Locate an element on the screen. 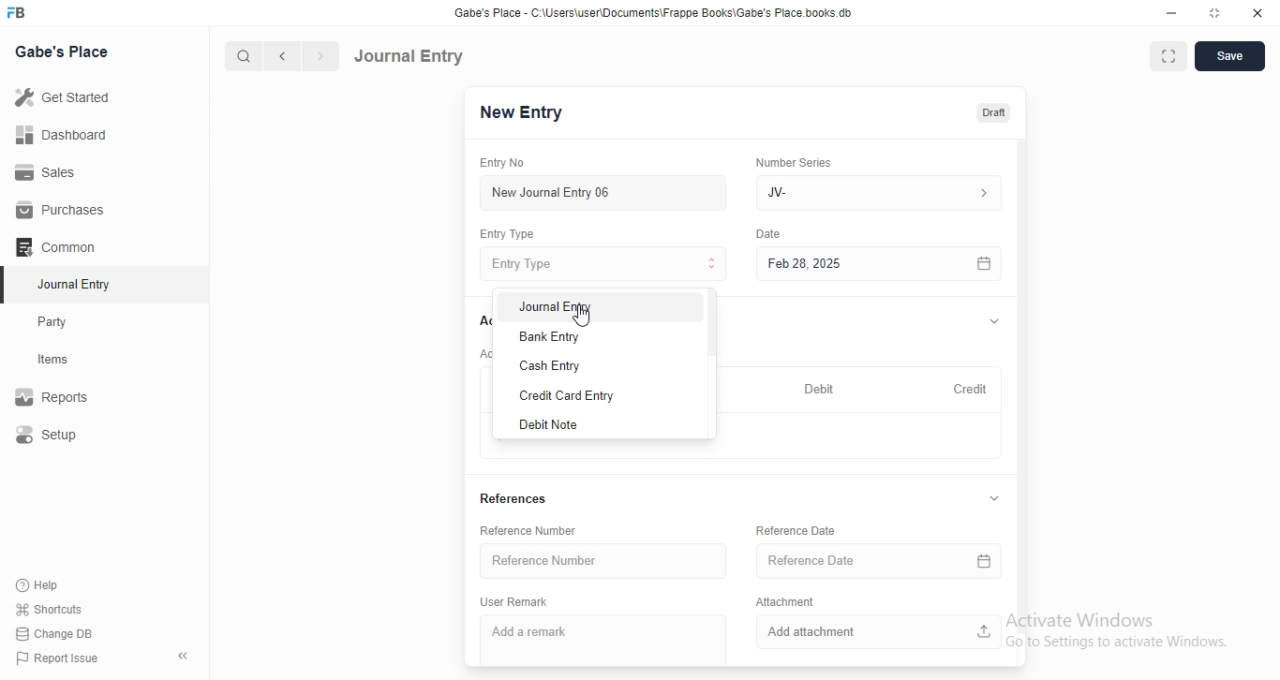  previous is located at coordinates (279, 56).